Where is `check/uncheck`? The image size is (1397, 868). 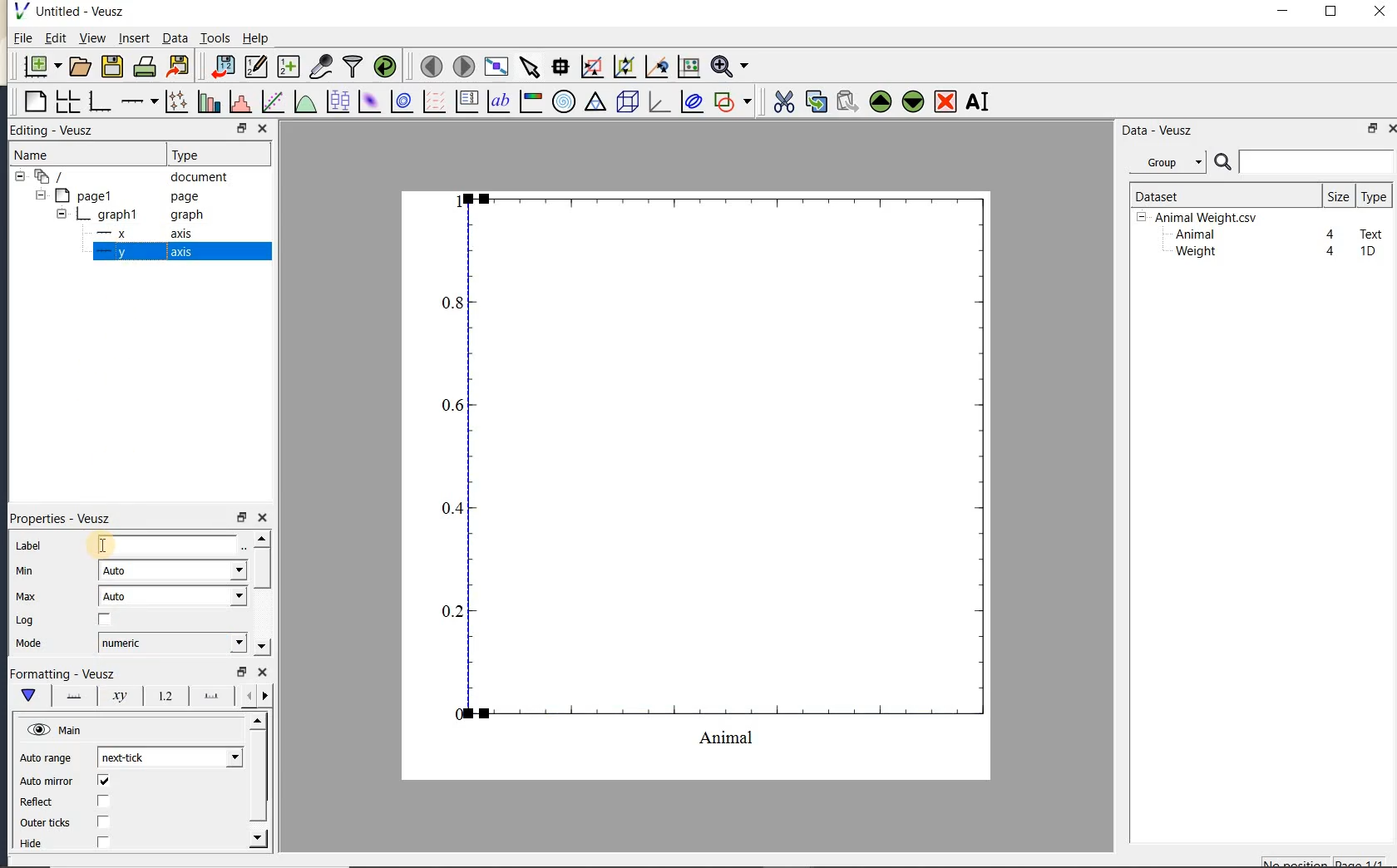 check/uncheck is located at coordinates (102, 841).